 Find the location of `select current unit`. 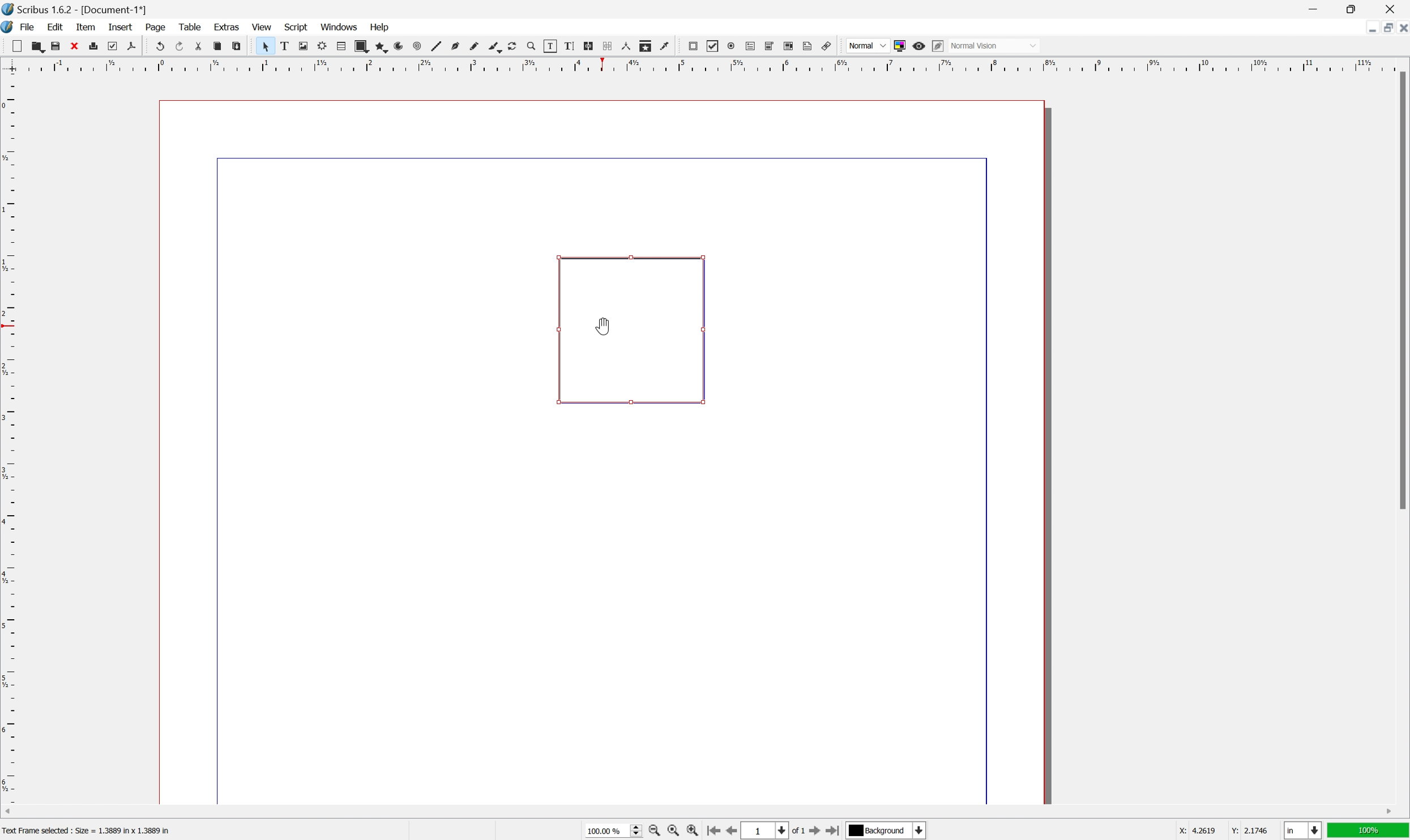

select current unit is located at coordinates (1302, 830).